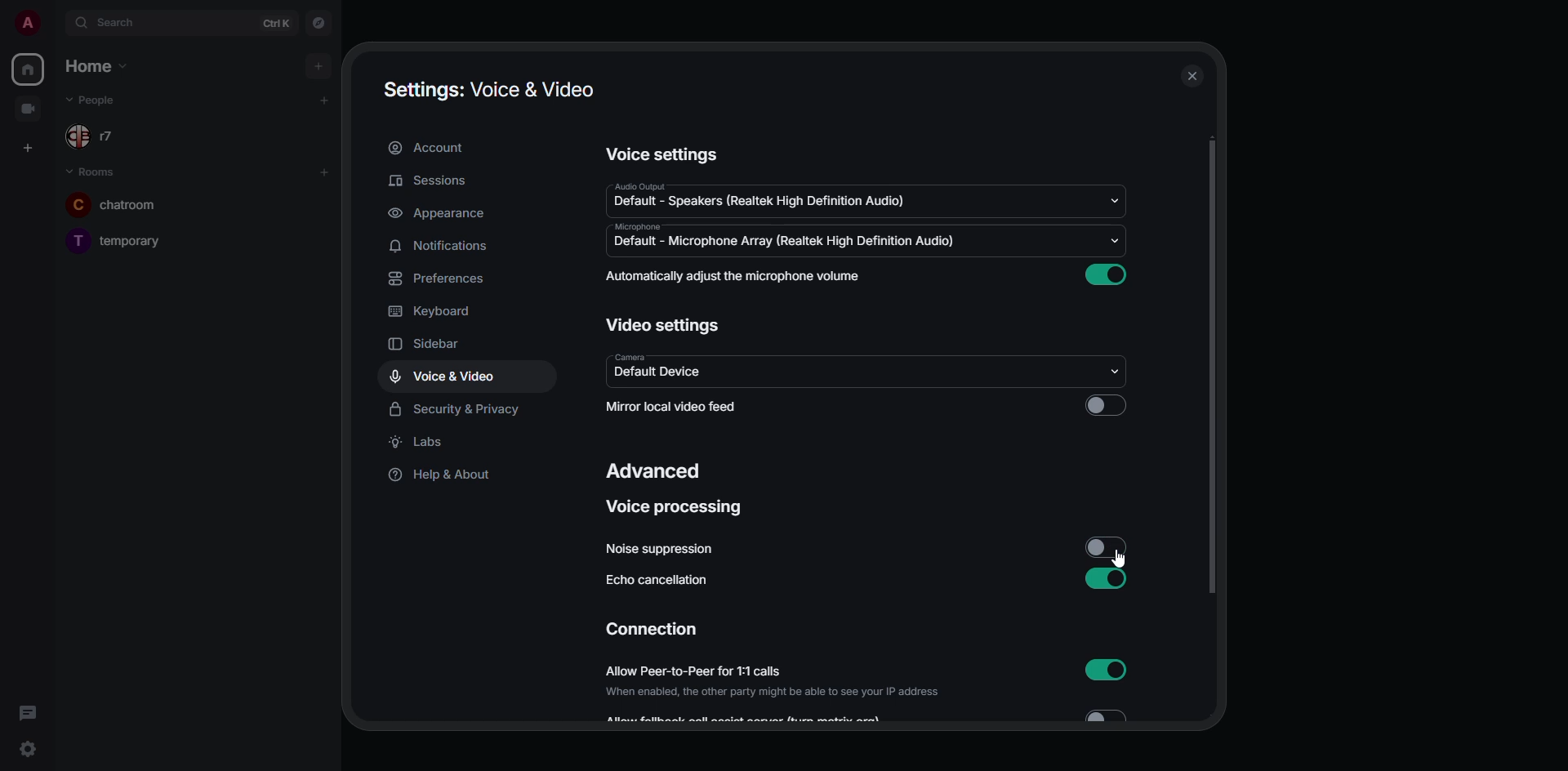  Describe the element at coordinates (105, 100) in the screenshot. I see `people` at that location.